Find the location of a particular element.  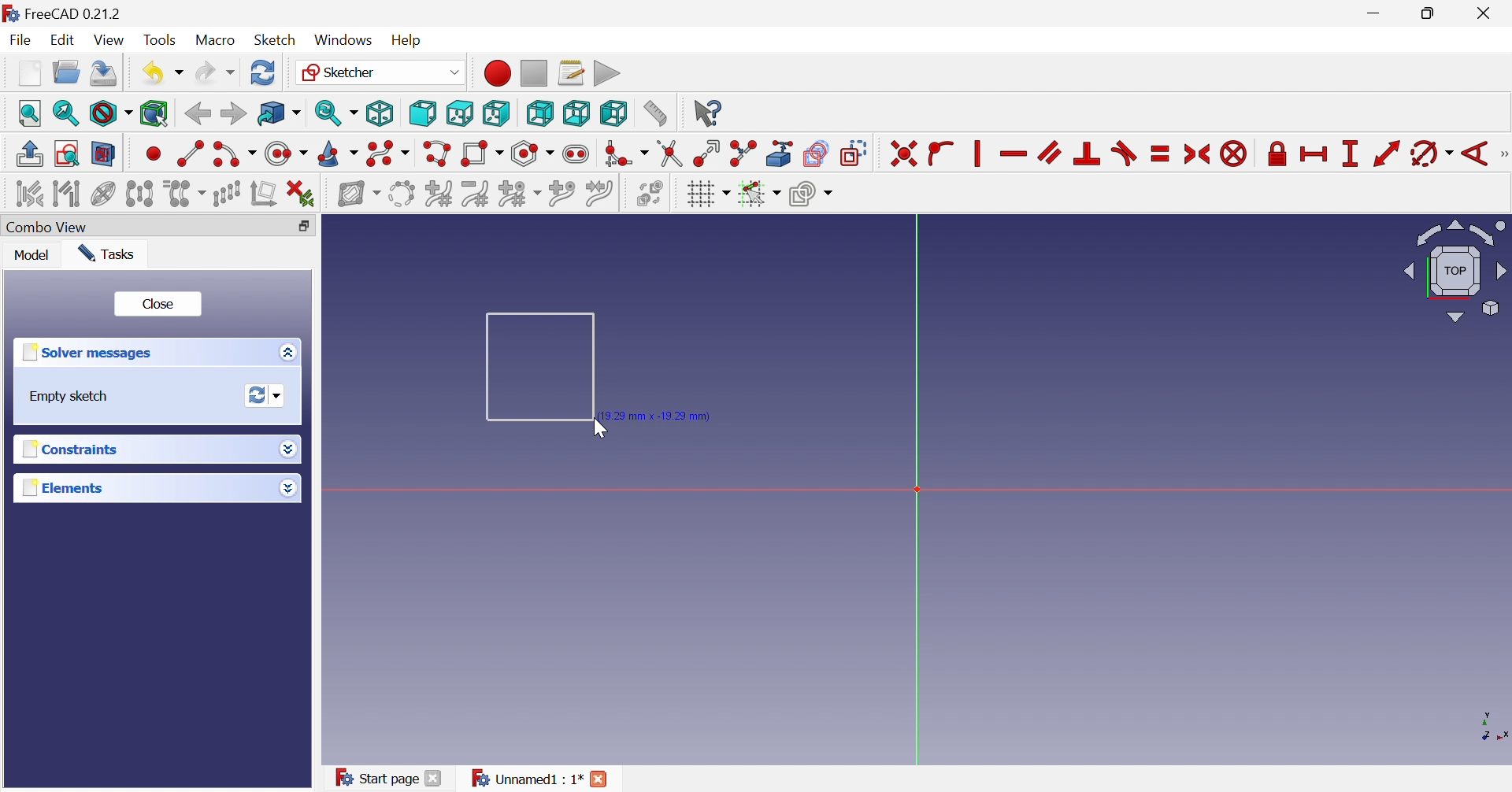

Close is located at coordinates (159, 306).